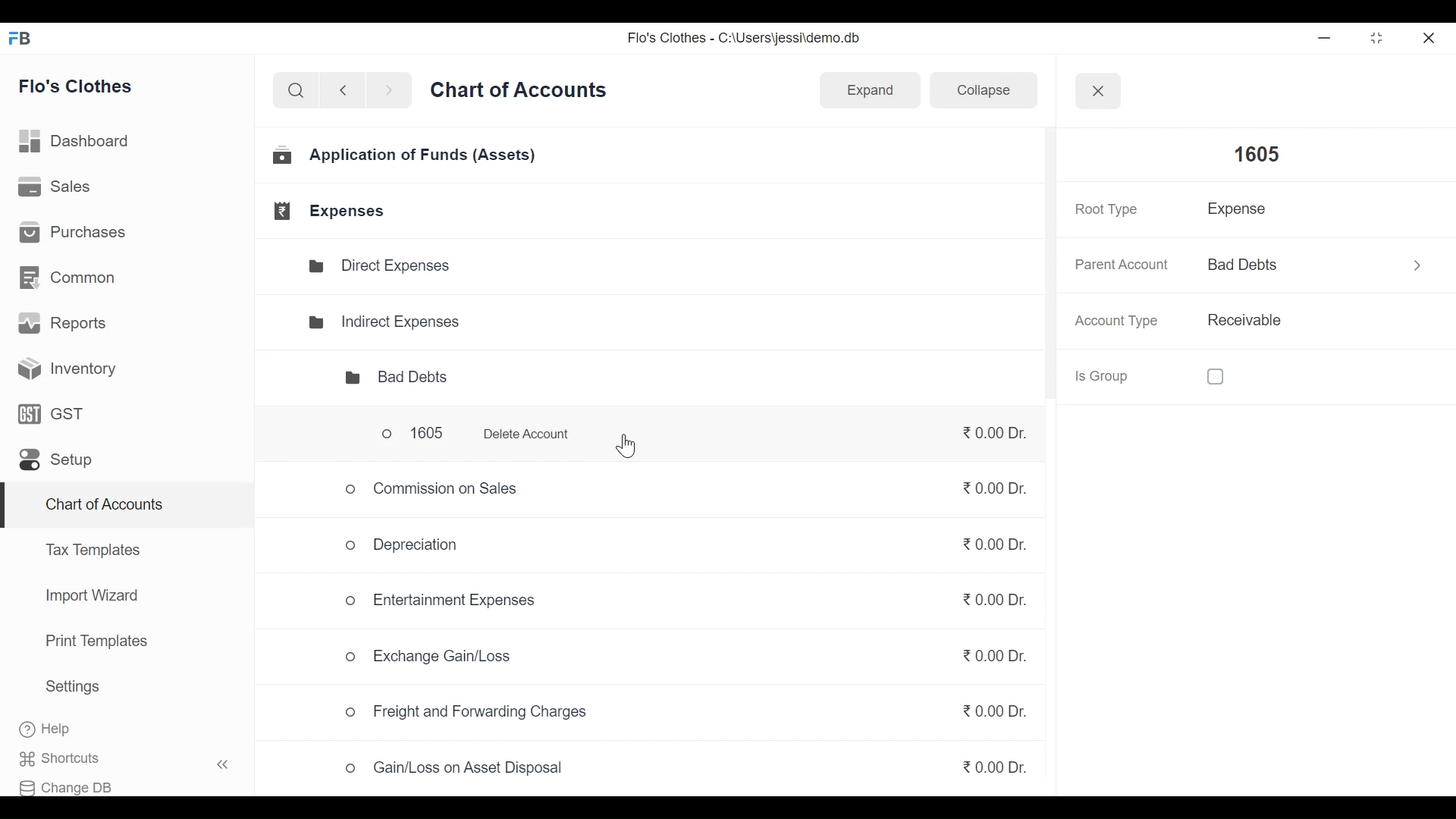 This screenshot has height=819, width=1456. I want to click on search, so click(296, 91).